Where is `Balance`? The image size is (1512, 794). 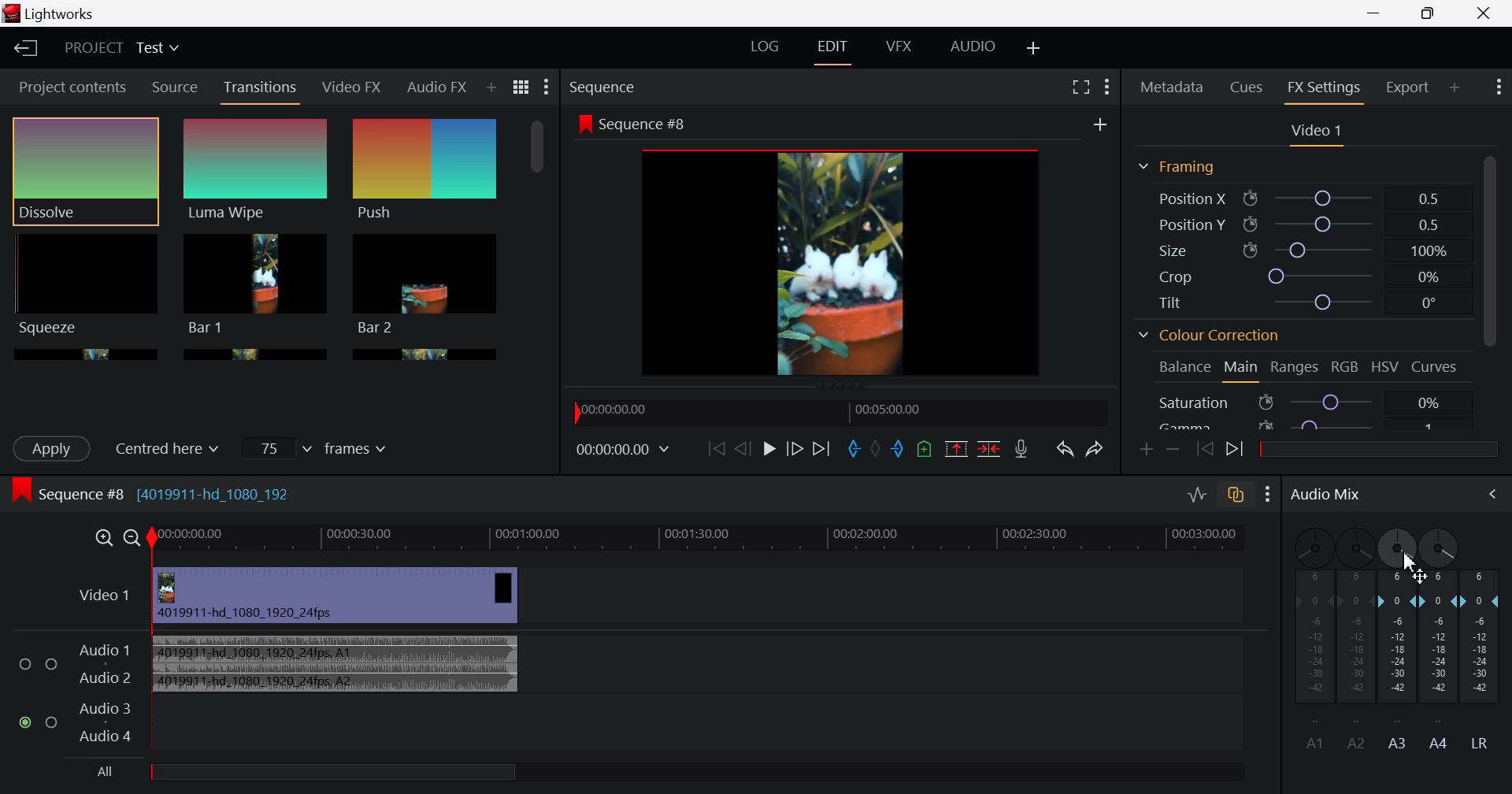
Balance is located at coordinates (1183, 368).